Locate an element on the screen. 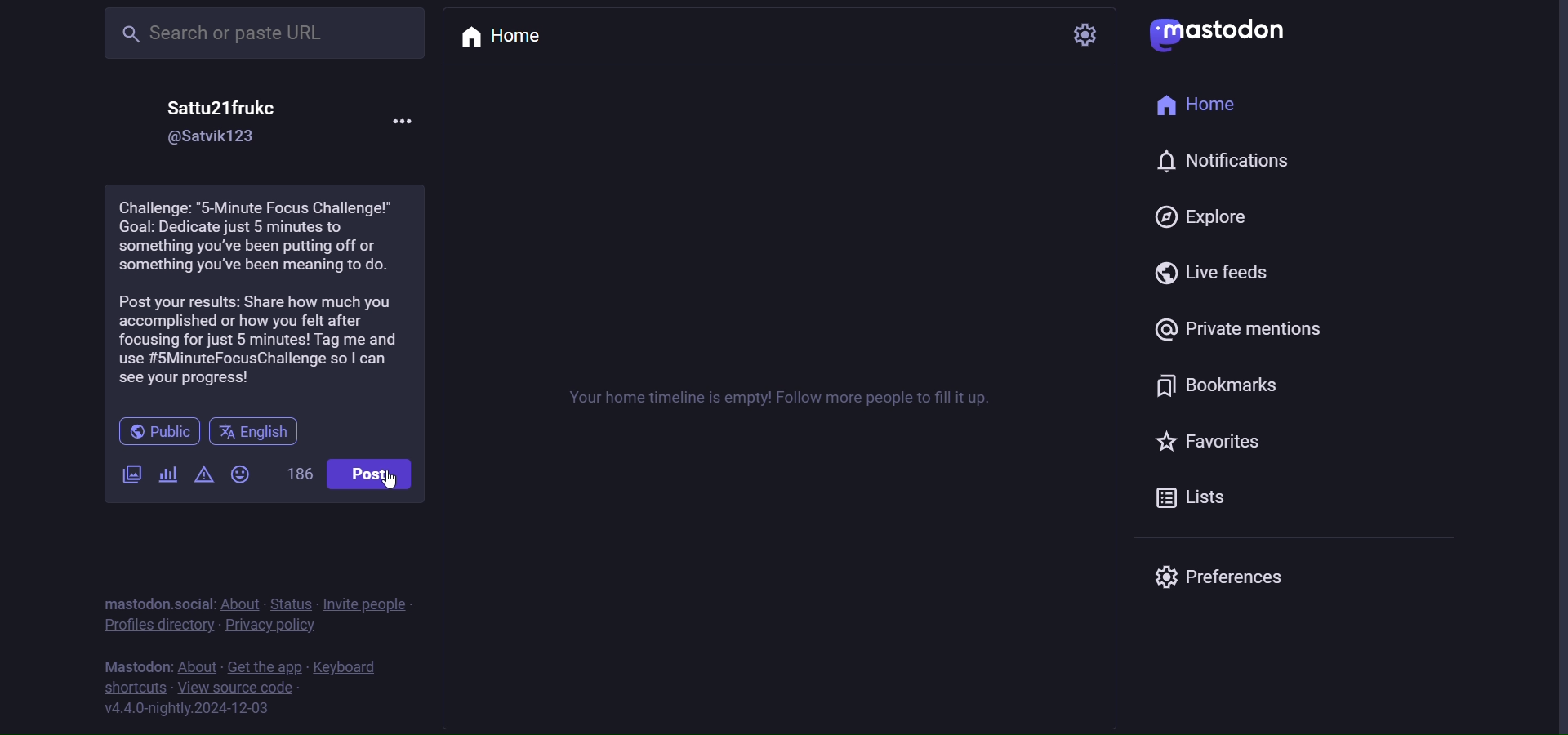 The image size is (1568, 735). bookmark is located at coordinates (1215, 387).